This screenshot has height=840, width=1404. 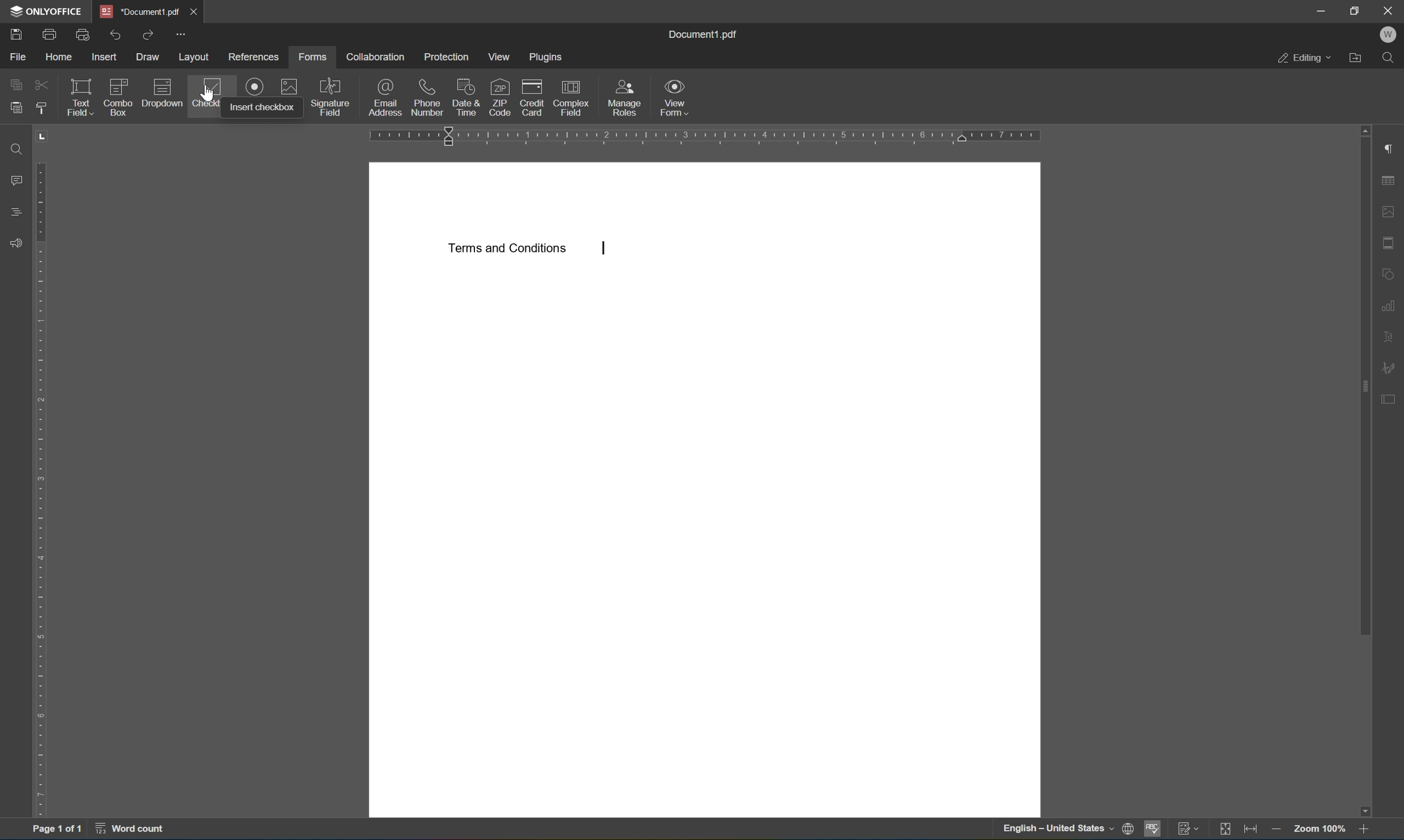 What do you see at coordinates (1321, 830) in the screenshot?
I see `zoom 100%` at bounding box center [1321, 830].